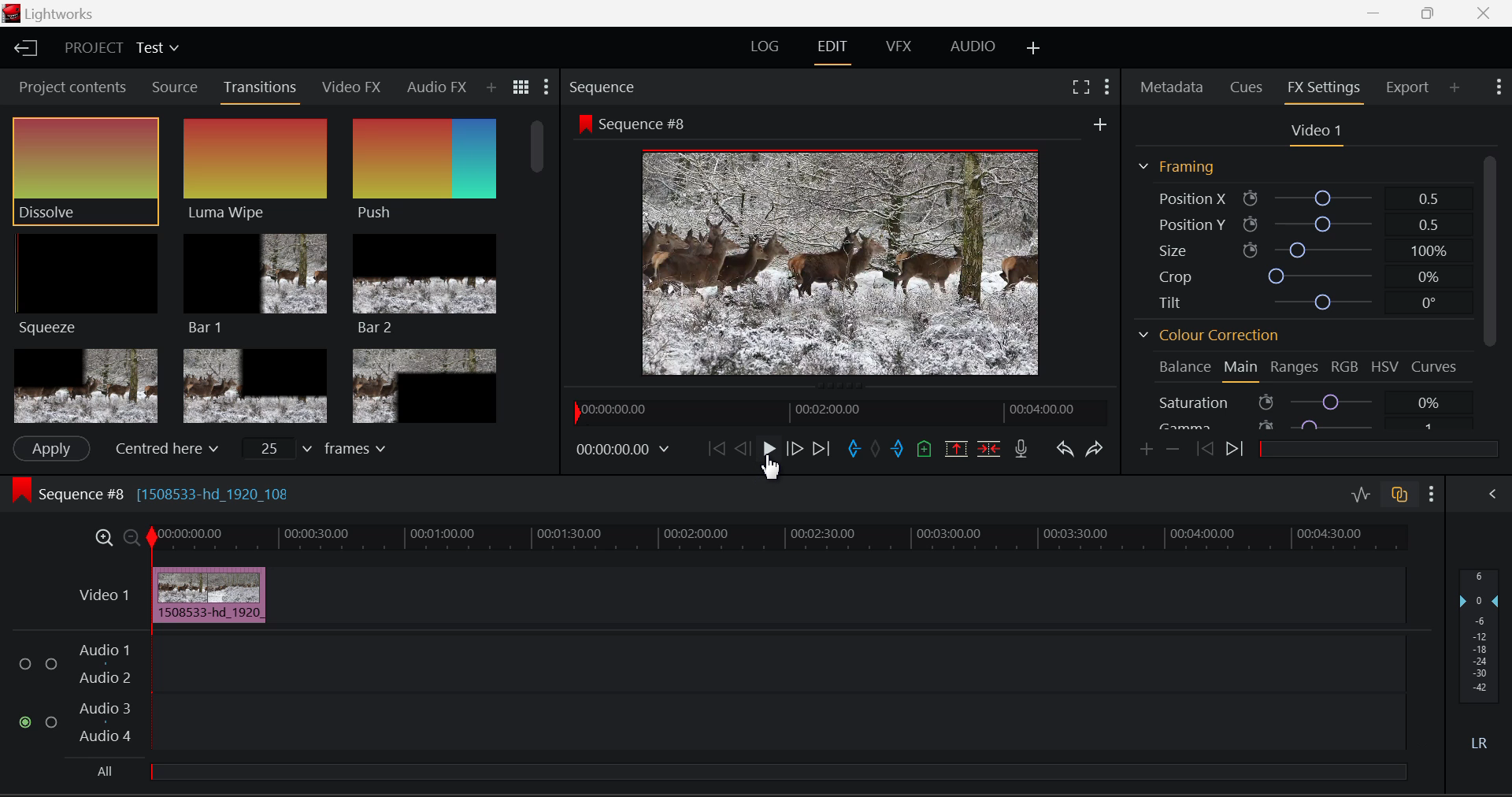 The height and width of the screenshot is (797, 1512). I want to click on Show Settings, so click(1432, 494).